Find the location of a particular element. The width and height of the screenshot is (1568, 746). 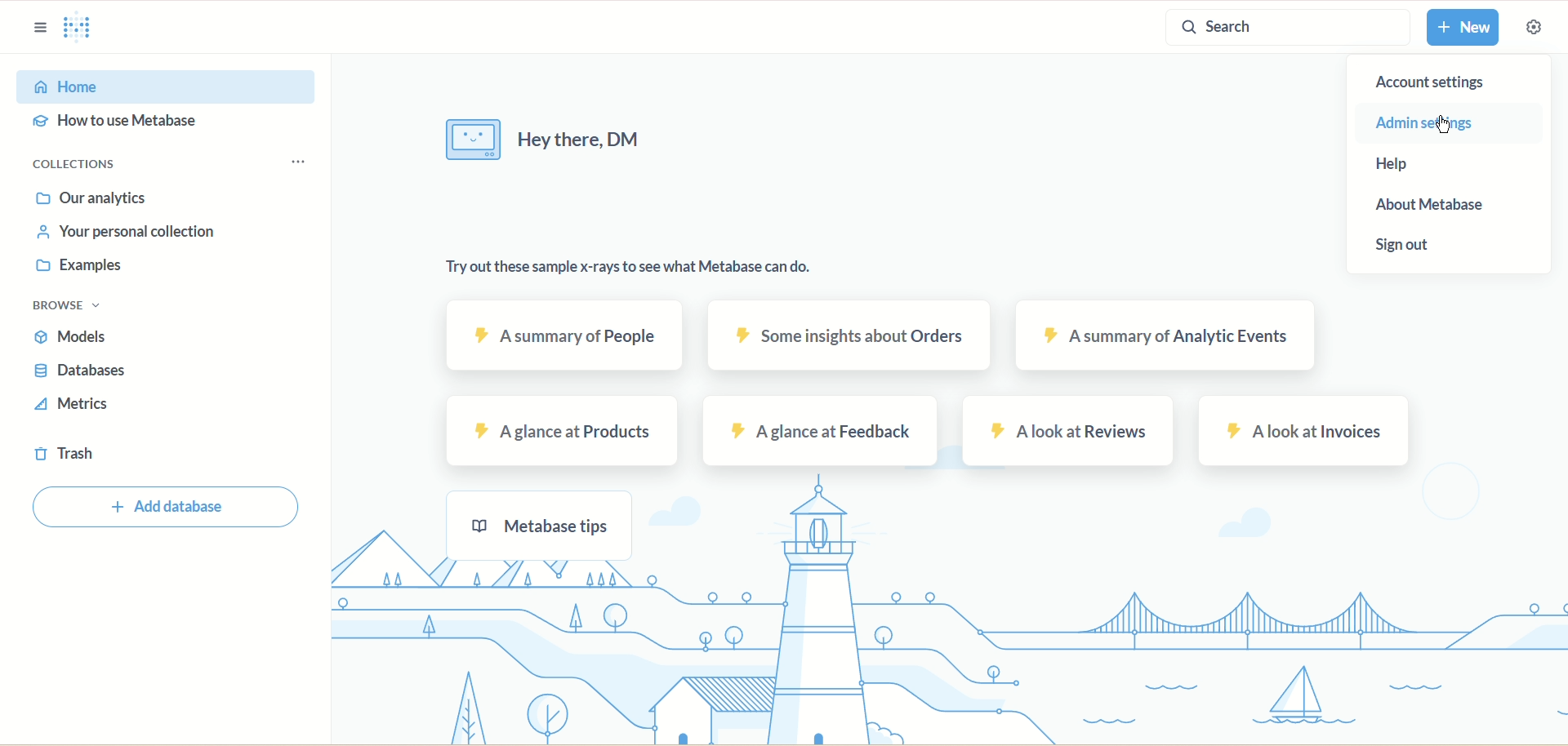

How to user metabase is located at coordinates (131, 123).